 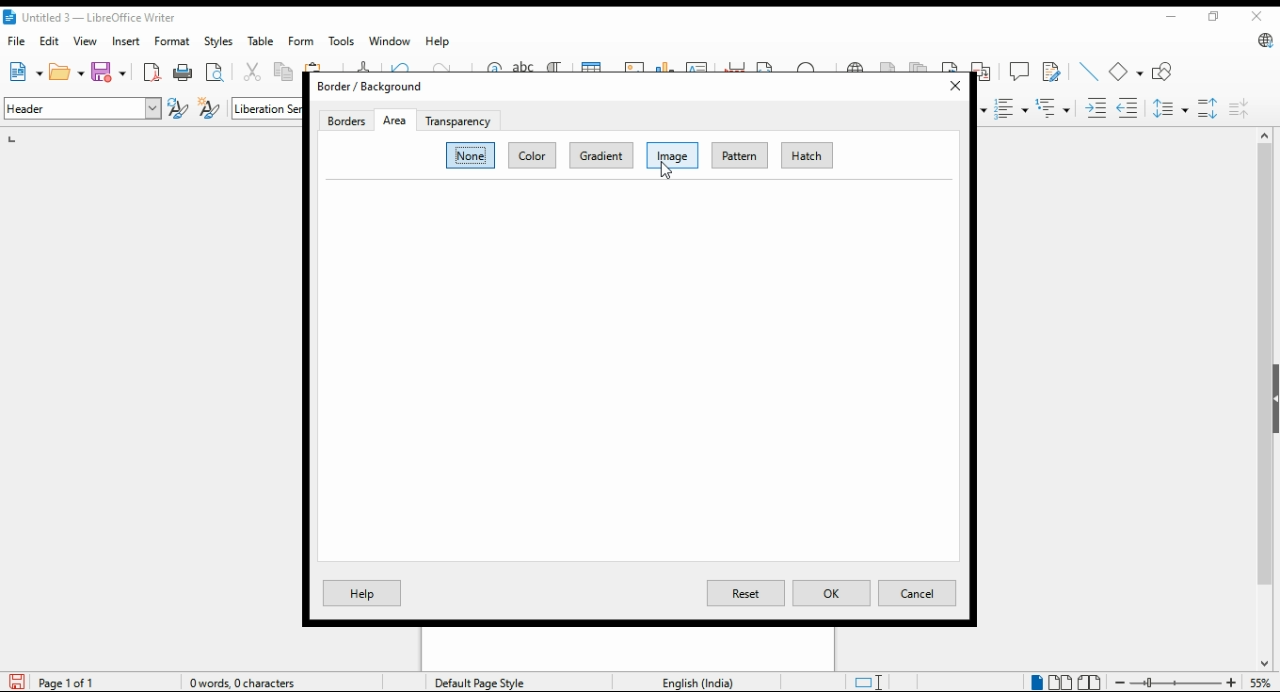 I want to click on borders, so click(x=345, y=120).